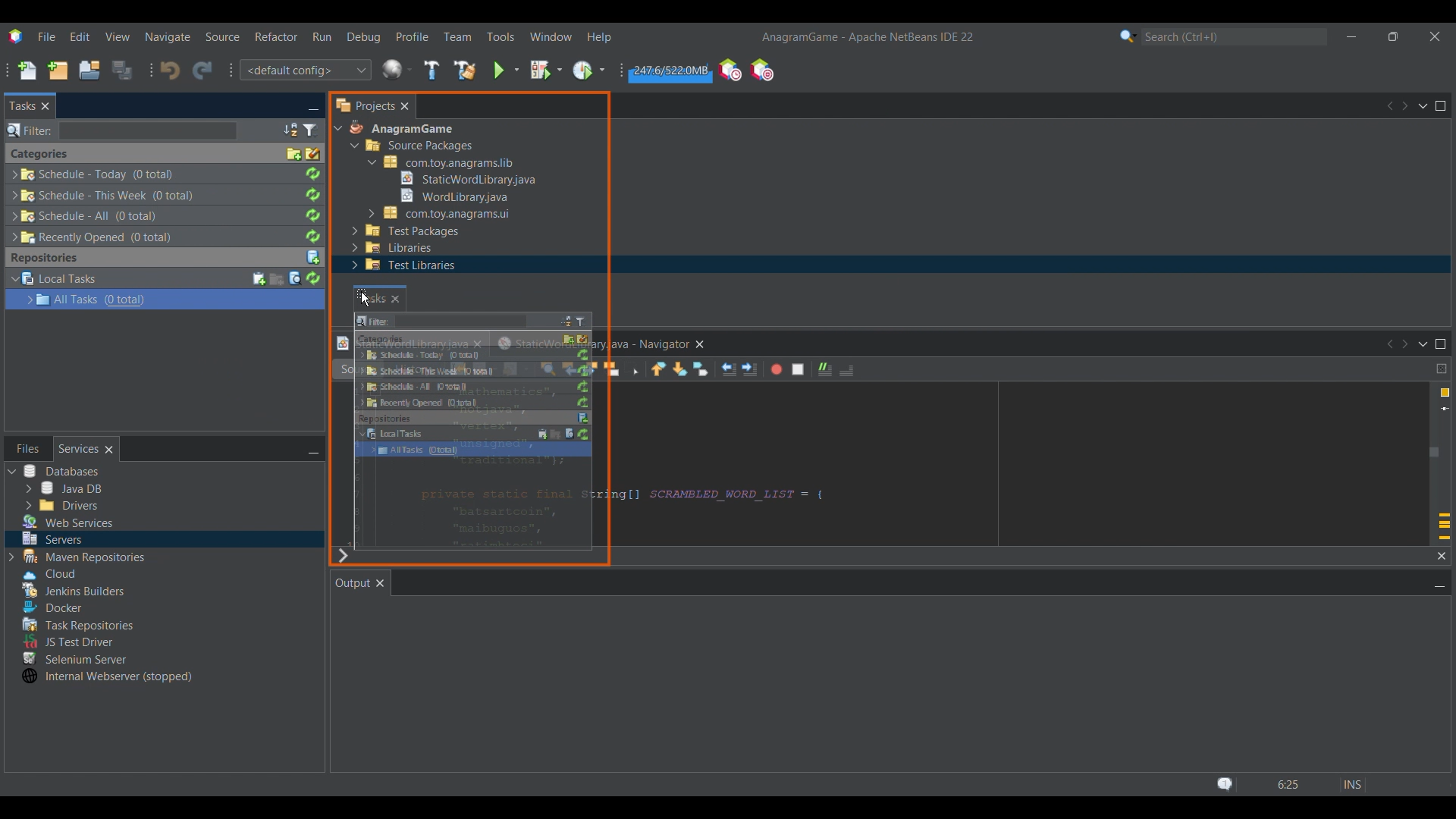  I want to click on Show in a smaller tab, so click(1393, 36).